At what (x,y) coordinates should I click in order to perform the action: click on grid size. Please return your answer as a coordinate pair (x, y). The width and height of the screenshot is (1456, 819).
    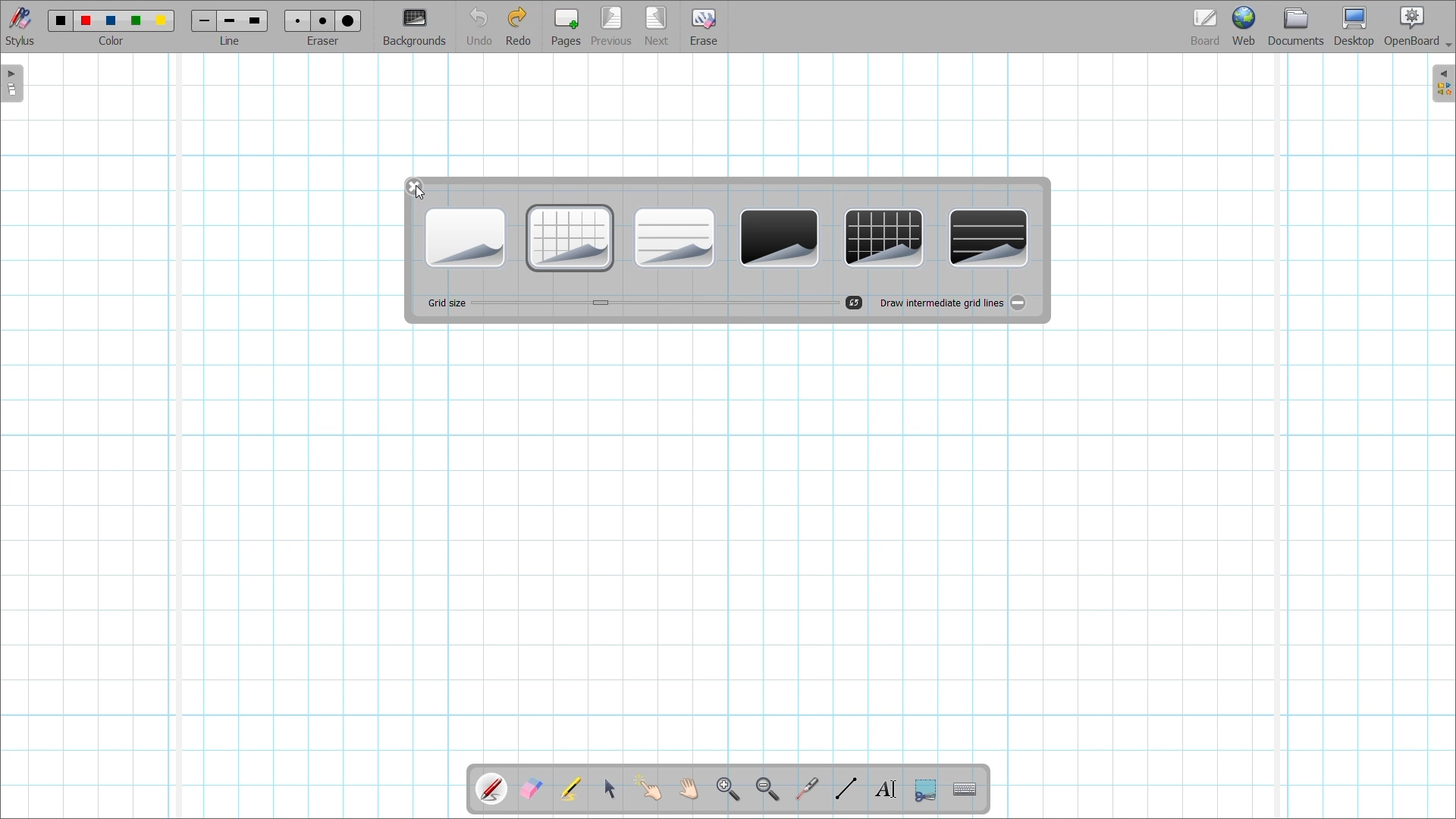
    Looking at the image, I should click on (445, 303).